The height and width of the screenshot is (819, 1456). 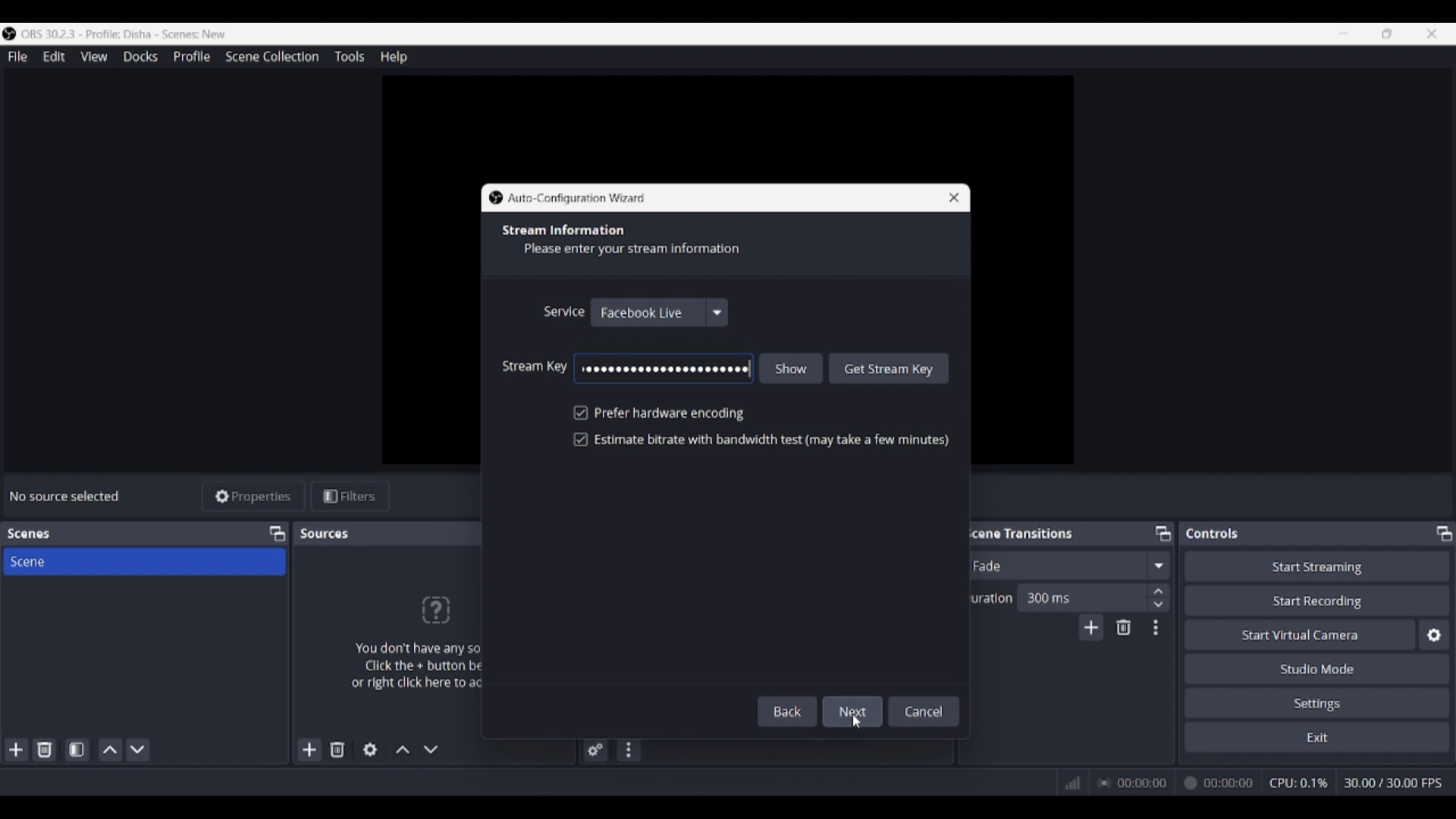 I want to click on Source status, so click(x=67, y=496).